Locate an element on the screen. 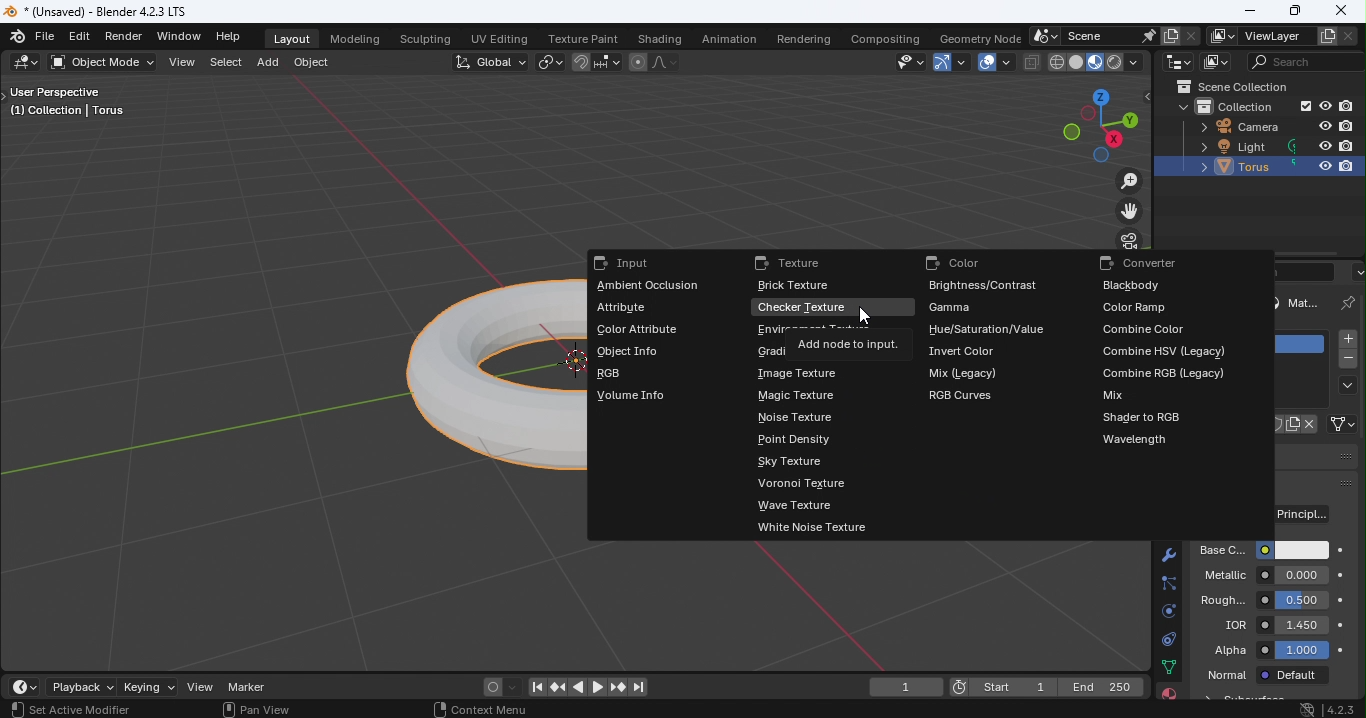 This screenshot has width=1366, height=718. Play animation is located at coordinates (577, 687).